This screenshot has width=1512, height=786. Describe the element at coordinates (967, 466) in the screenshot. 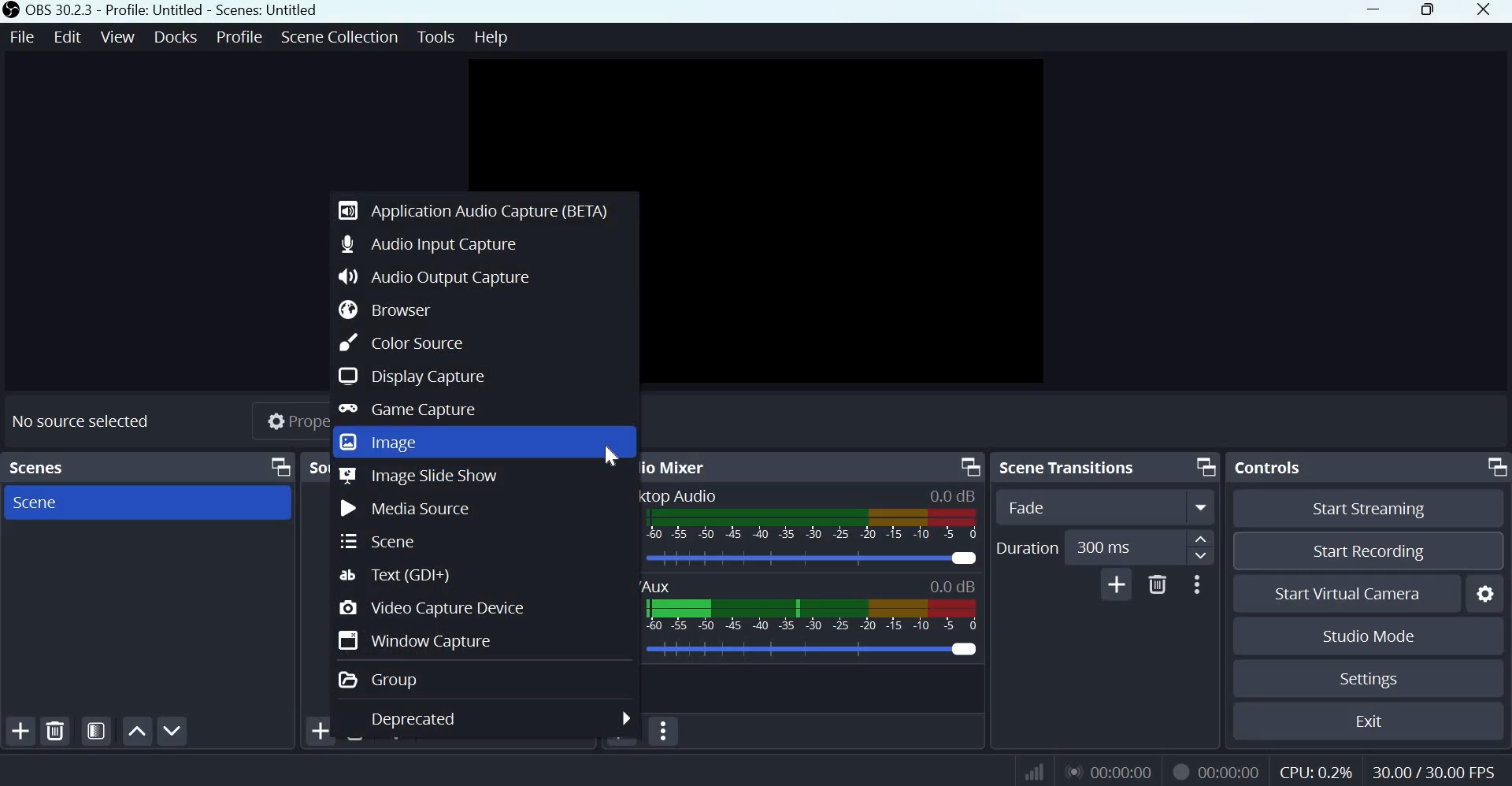

I see `Dock menu` at that location.